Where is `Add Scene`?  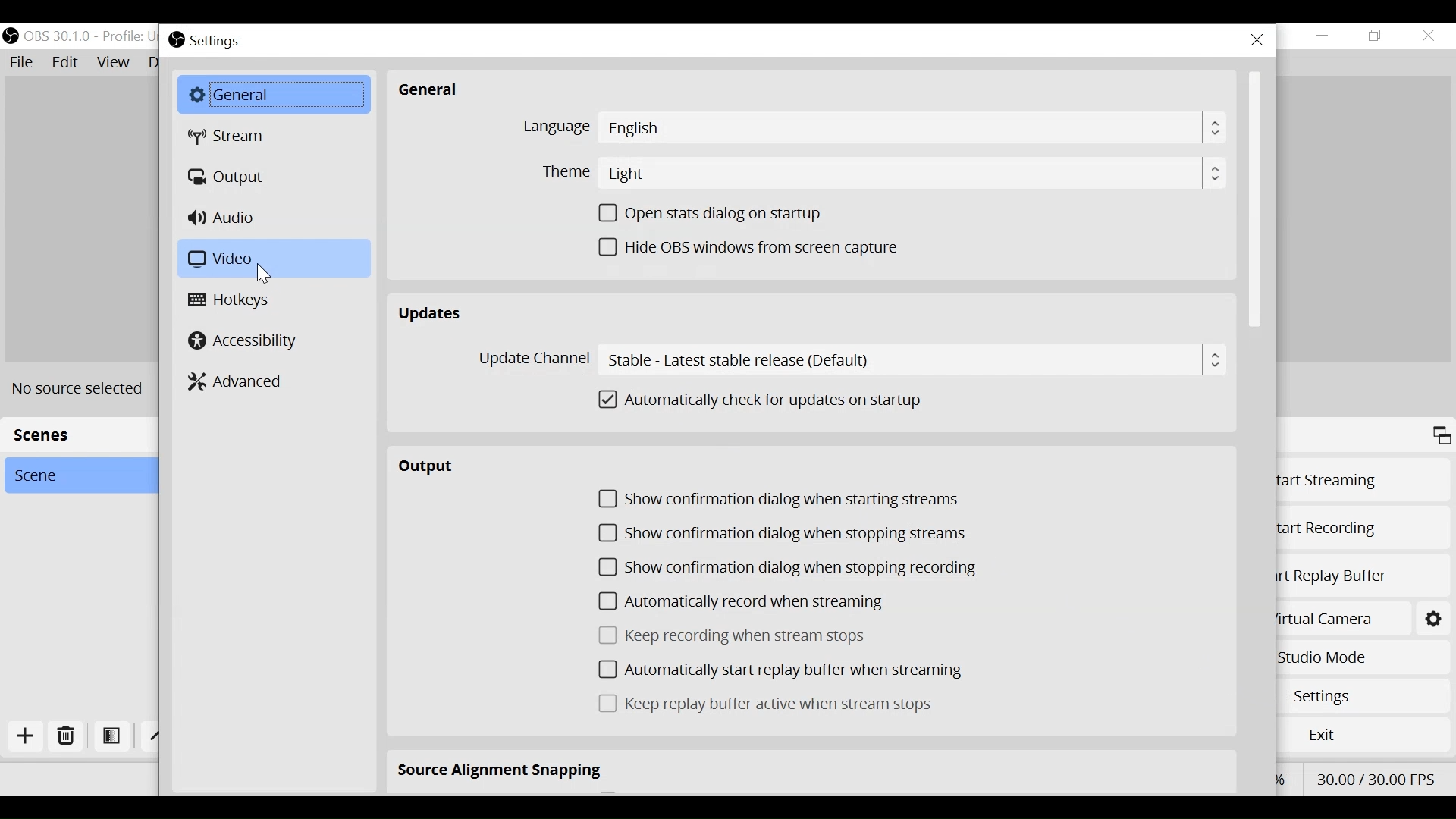
Add Scene is located at coordinates (30, 739).